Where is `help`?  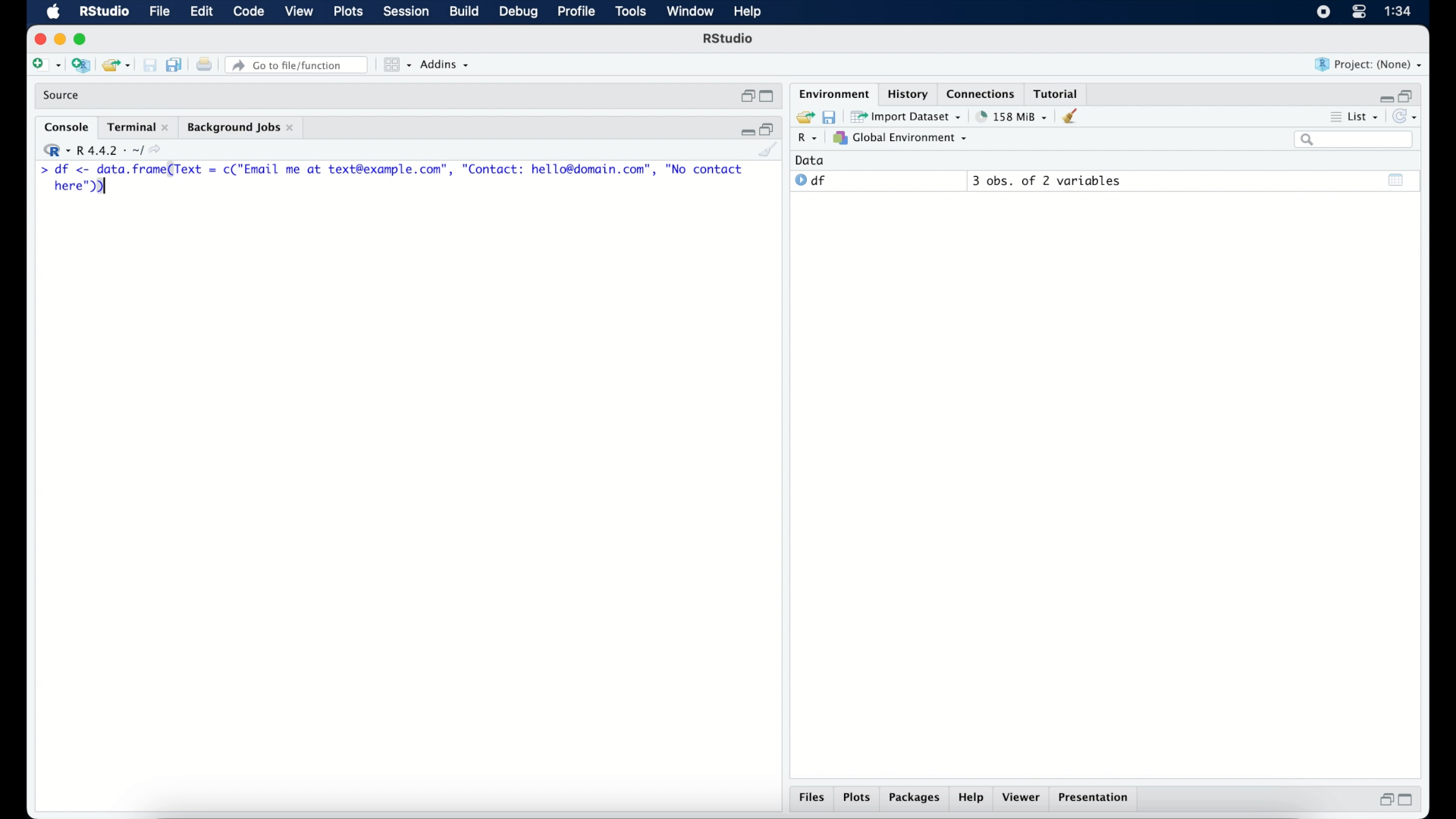 help is located at coordinates (748, 12).